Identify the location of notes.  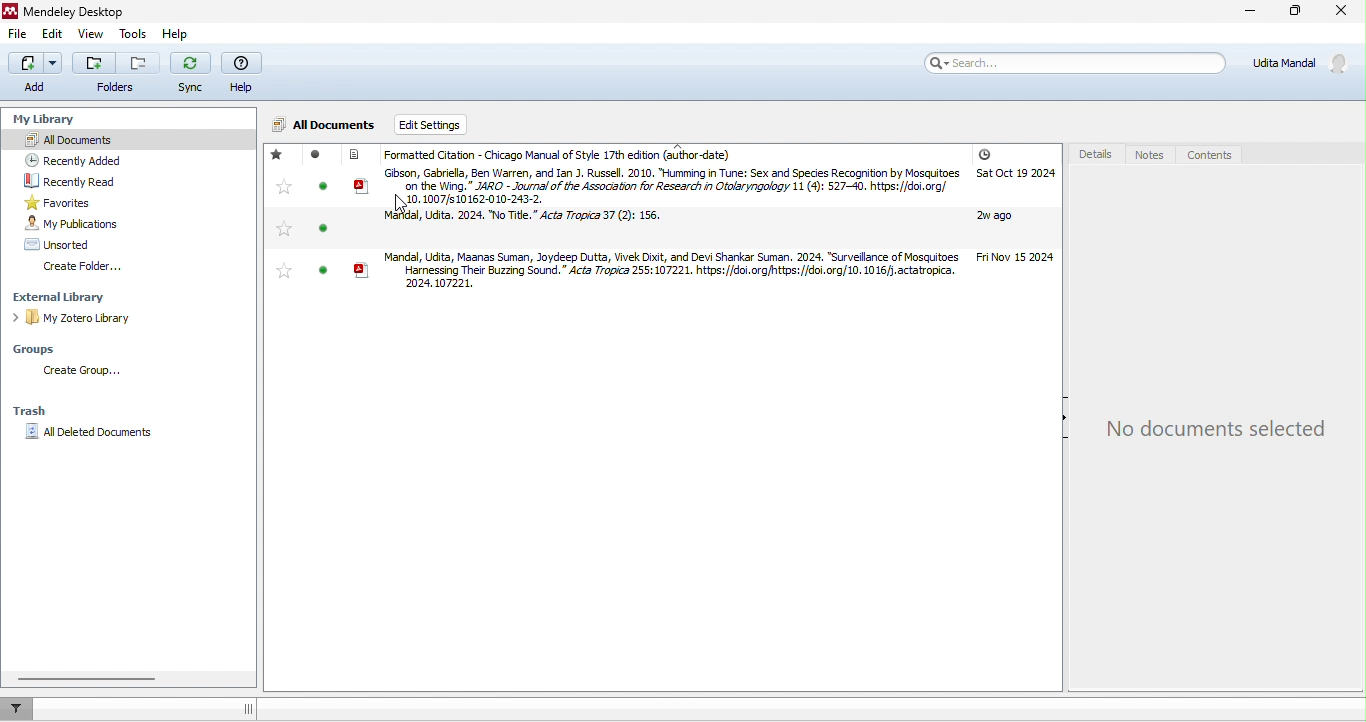
(1151, 155).